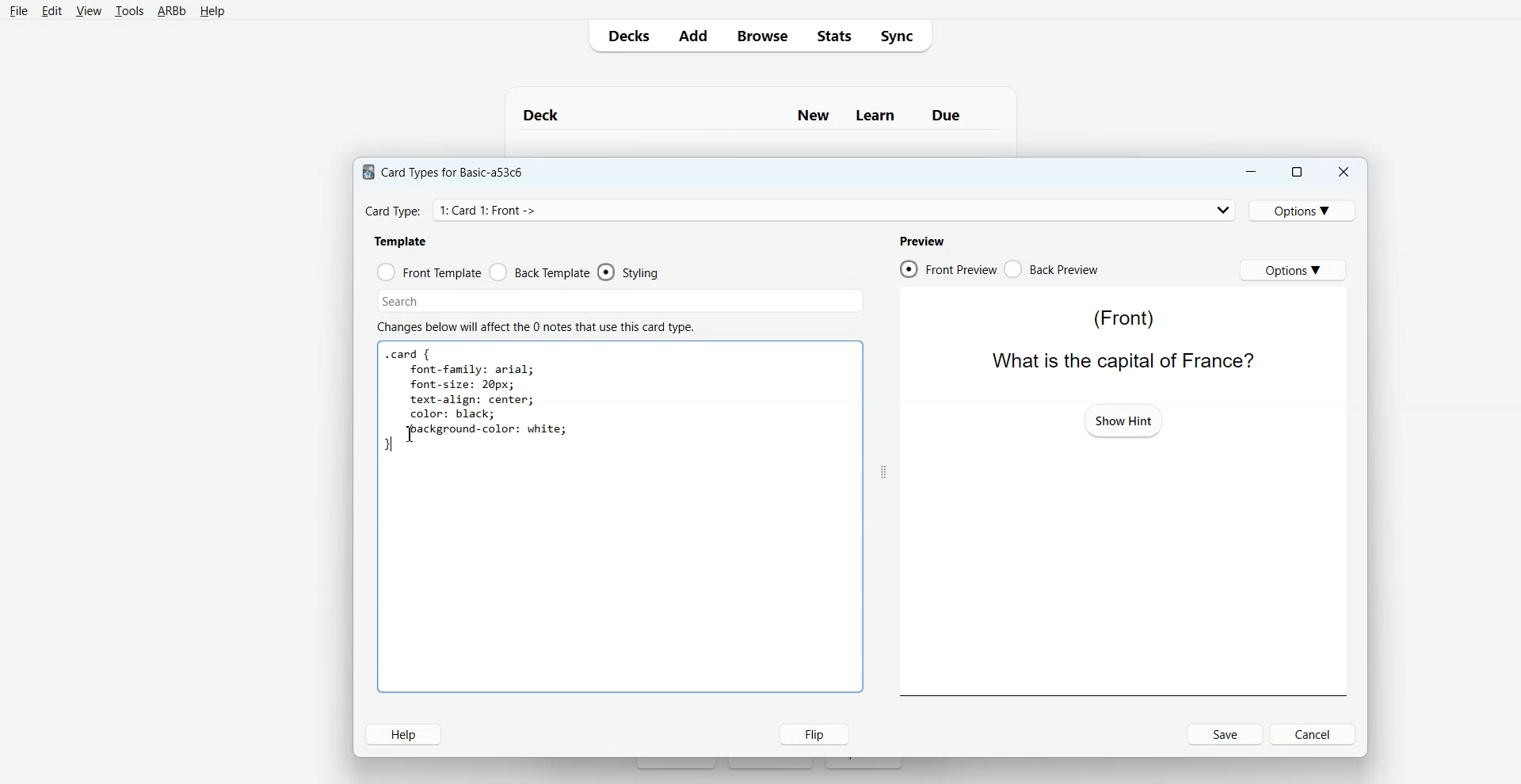 This screenshot has width=1521, height=784. Describe the element at coordinates (402, 241) in the screenshot. I see `Template` at that location.